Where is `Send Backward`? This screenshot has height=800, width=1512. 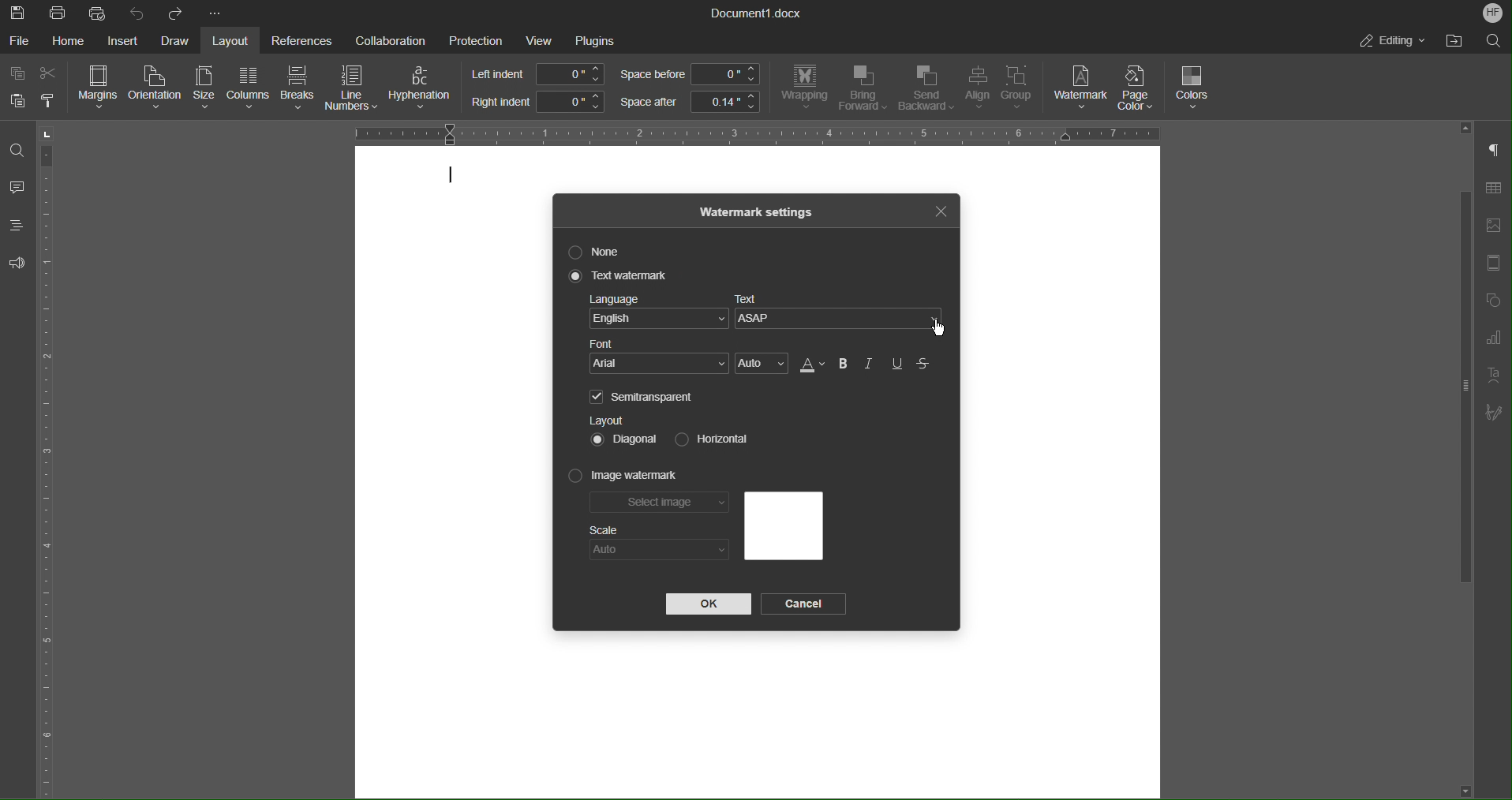
Send Backward is located at coordinates (926, 89).